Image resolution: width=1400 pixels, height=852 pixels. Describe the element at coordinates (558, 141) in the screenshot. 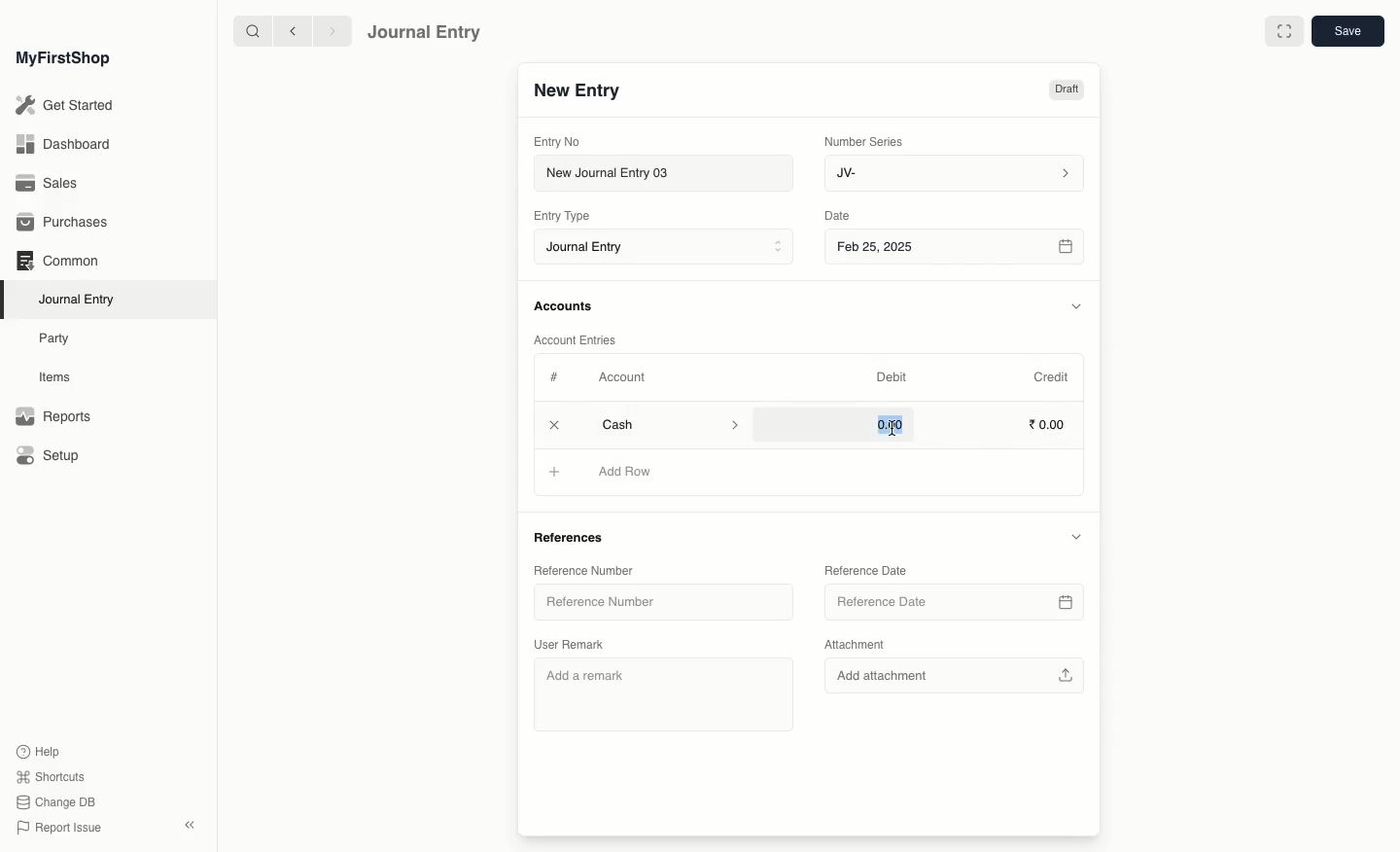

I see `Entry No` at that location.